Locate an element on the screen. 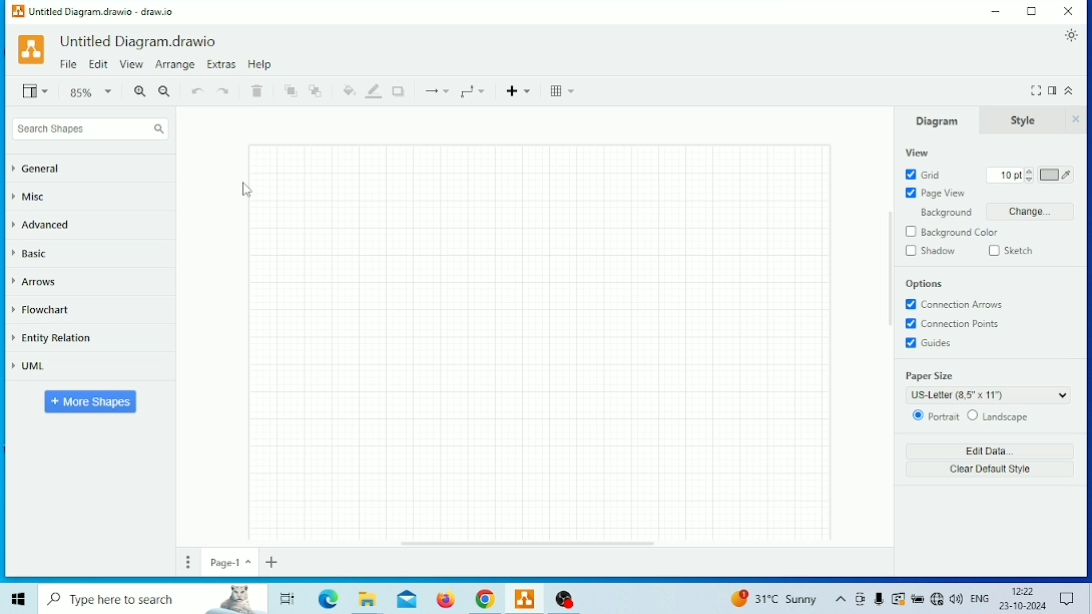 This screenshot has width=1092, height=614. Shadow is located at coordinates (930, 251).